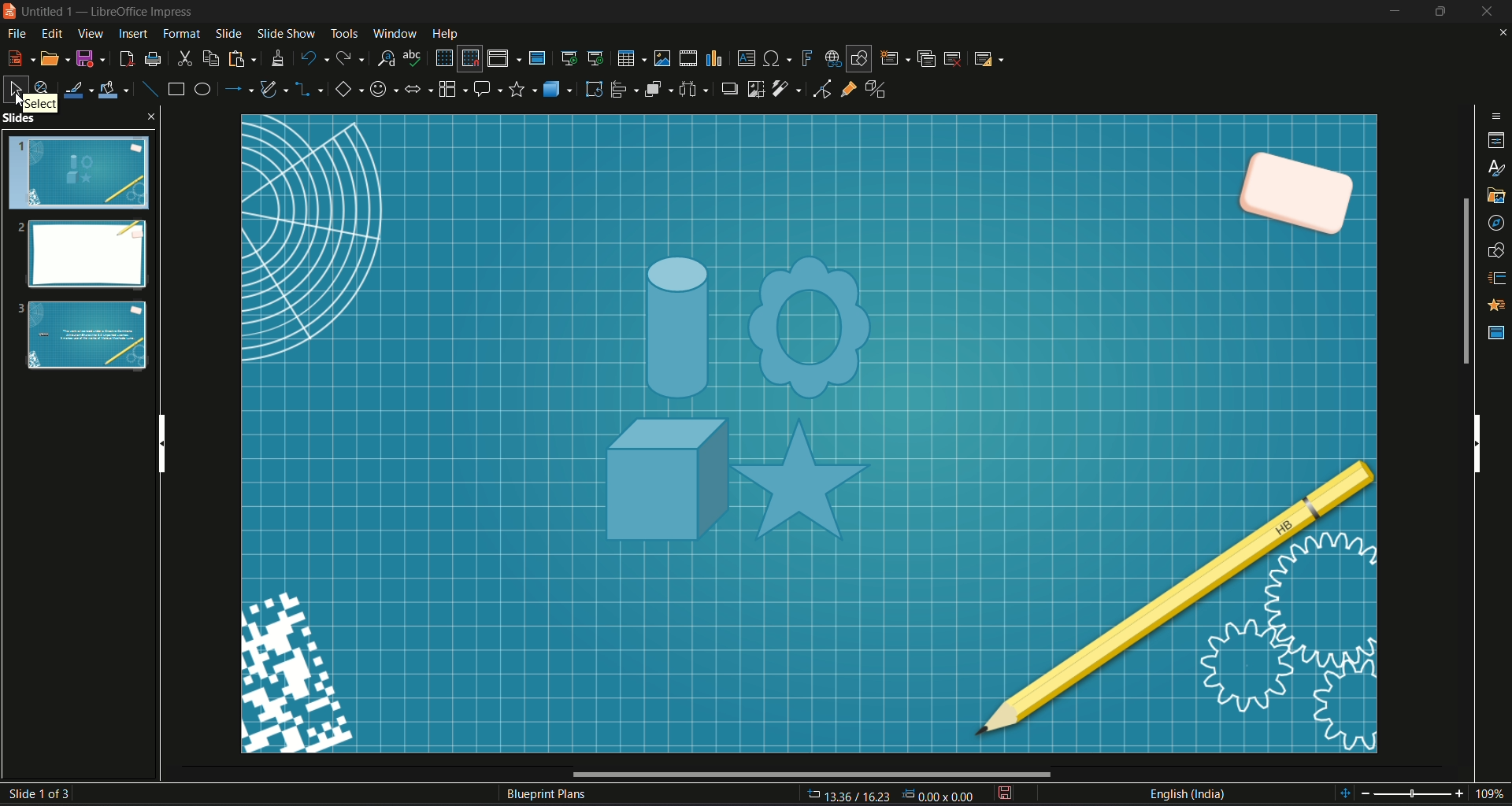 The height and width of the screenshot is (806, 1512). What do you see at coordinates (229, 32) in the screenshot?
I see `slide` at bounding box center [229, 32].